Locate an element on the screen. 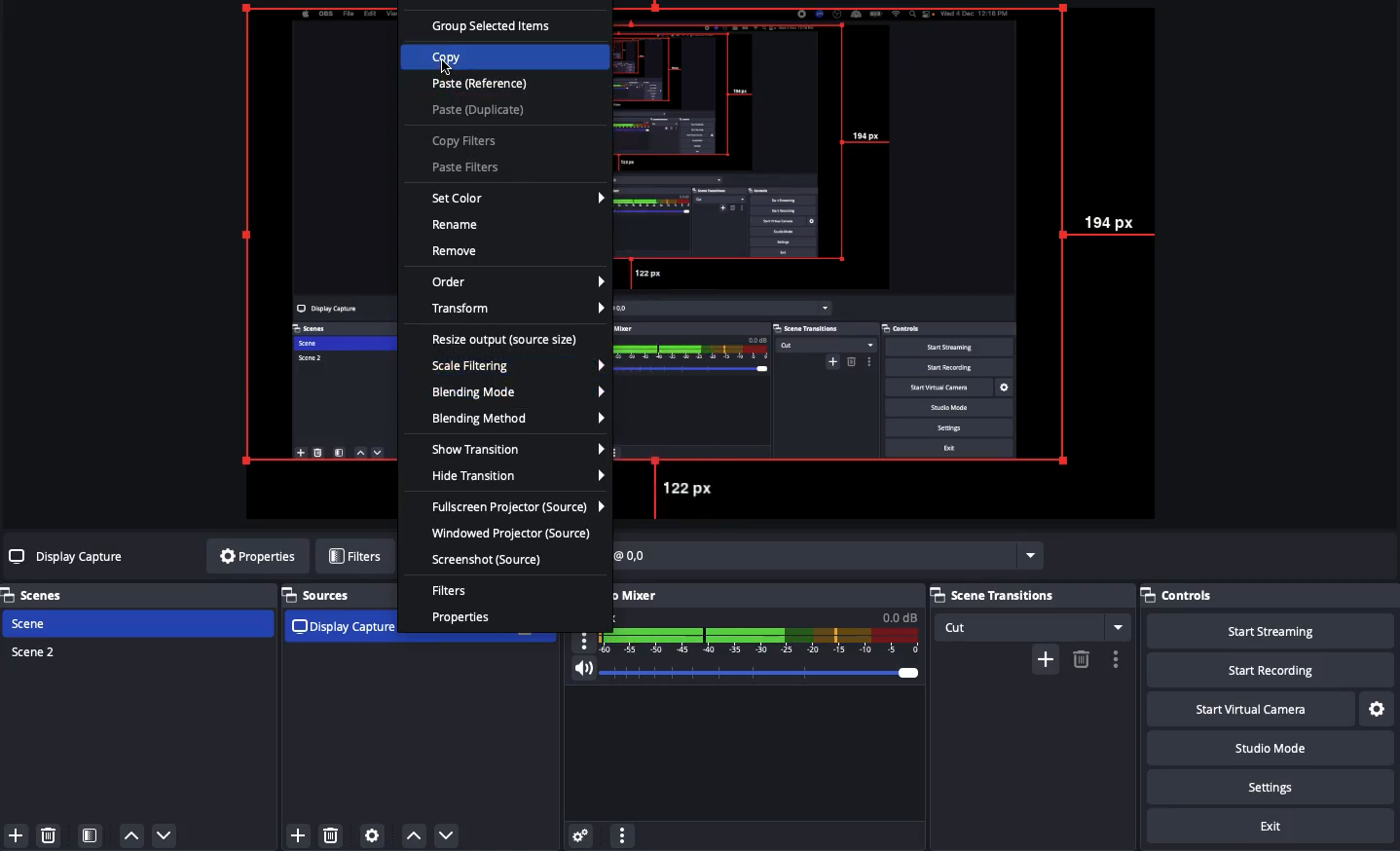 This screenshot has height=851, width=1400. Scene 2 is located at coordinates (35, 650).